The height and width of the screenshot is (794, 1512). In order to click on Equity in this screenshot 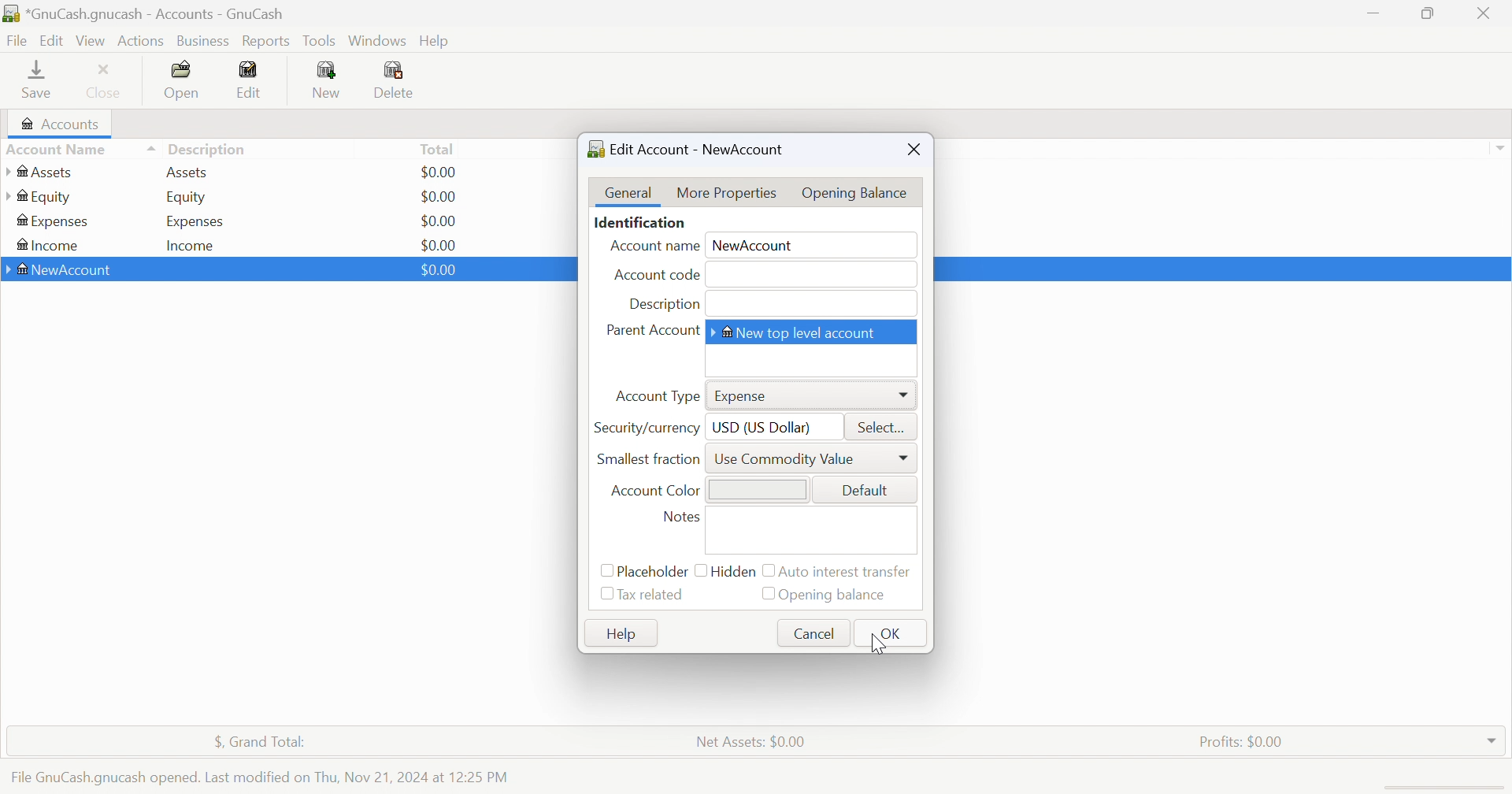, I will do `click(188, 197)`.